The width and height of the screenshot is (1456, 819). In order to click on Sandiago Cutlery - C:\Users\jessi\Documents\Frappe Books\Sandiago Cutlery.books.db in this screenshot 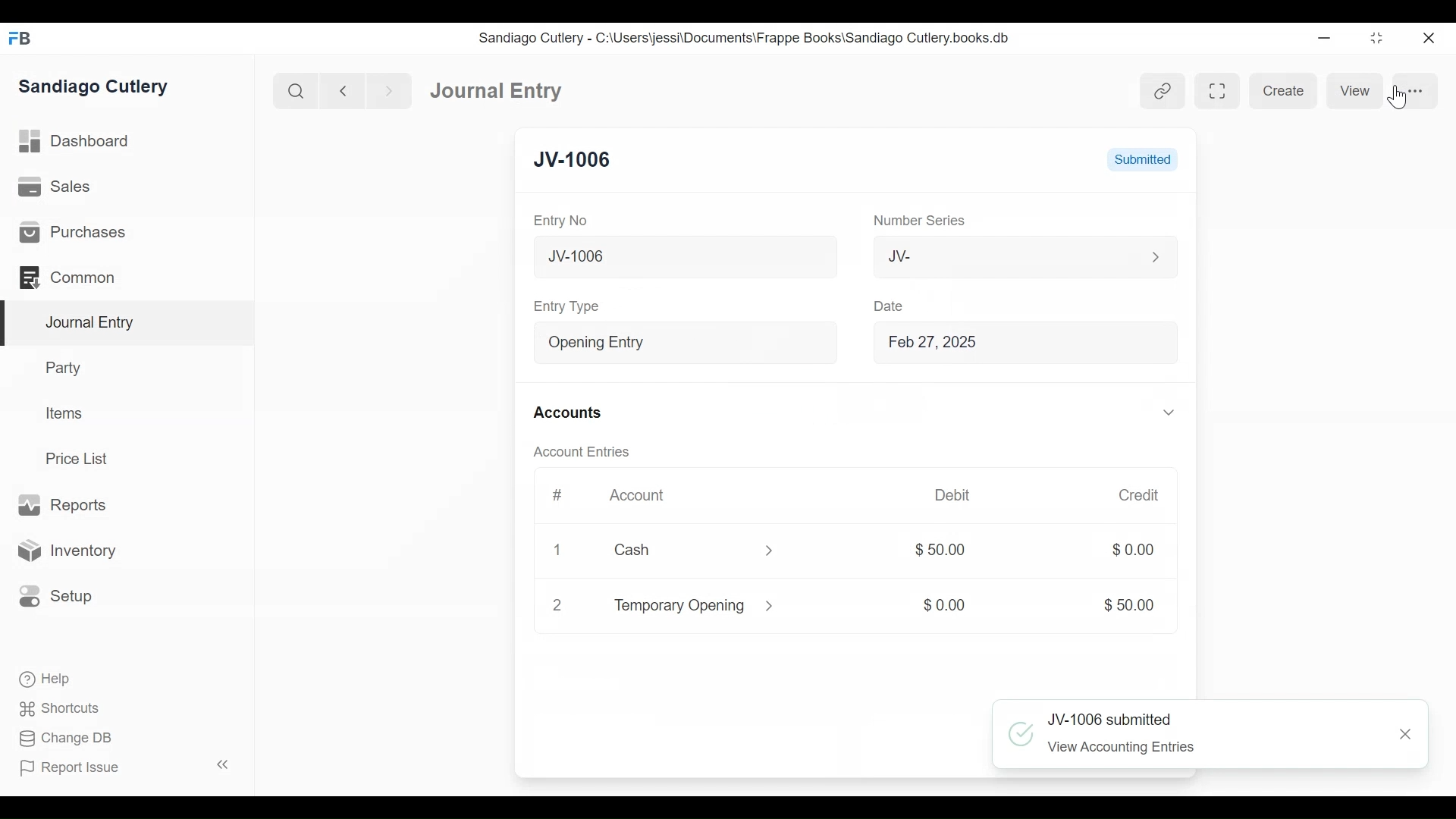, I will do `click(745, 37)`.